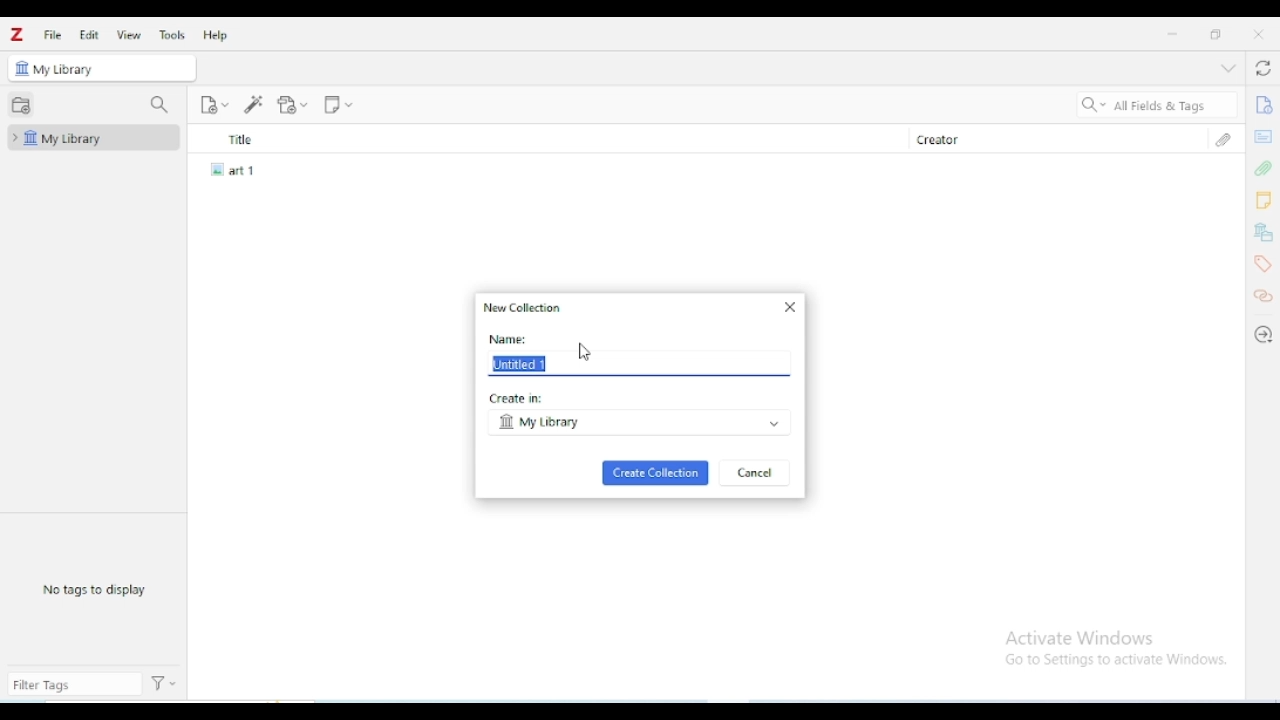  Describe the element at coordinates (17, 34) in the screenshot. I see `logo` at that location.